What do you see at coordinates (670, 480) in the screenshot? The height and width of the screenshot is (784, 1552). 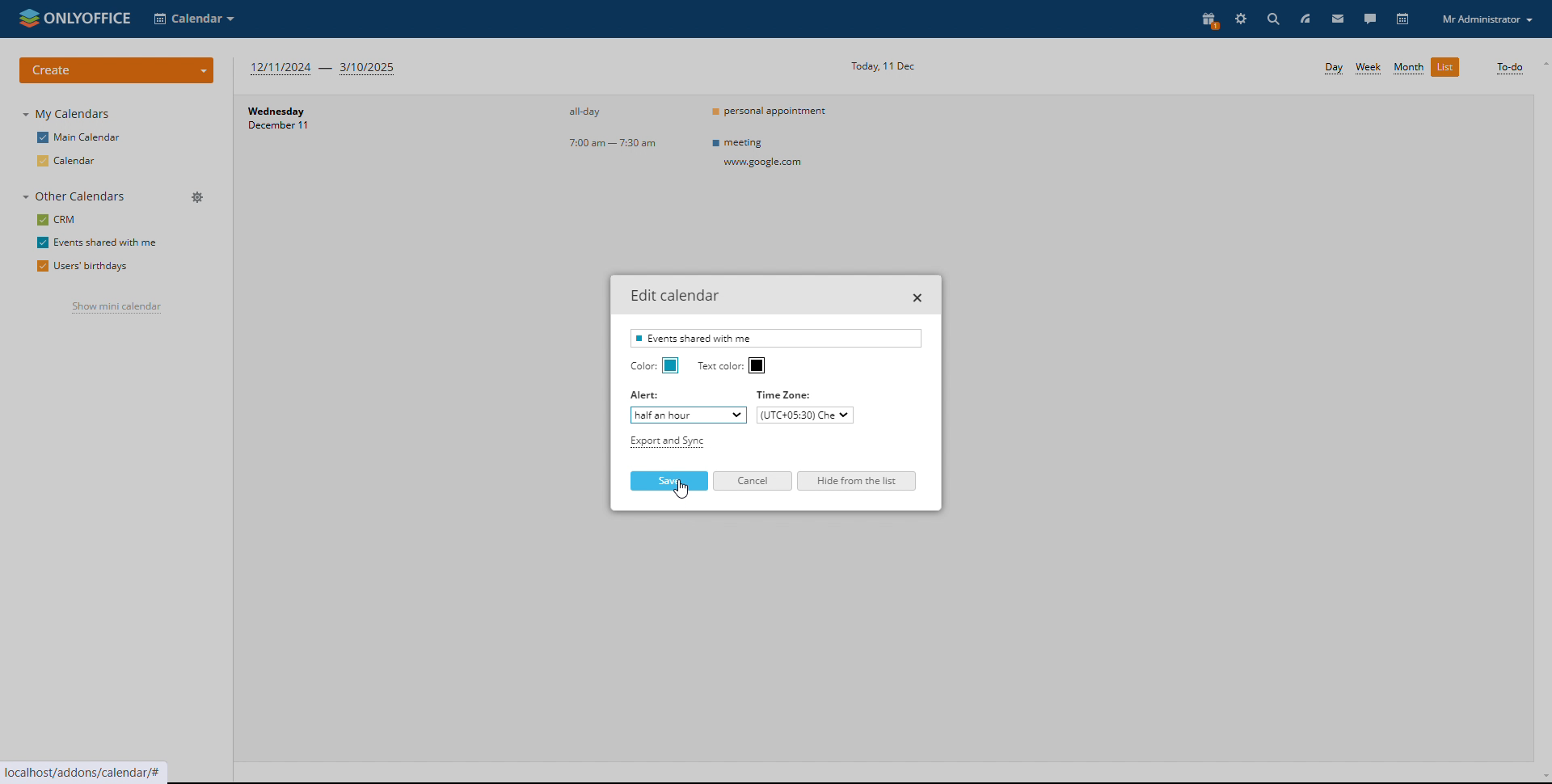 I see `save` at bounding box center [670, 480].